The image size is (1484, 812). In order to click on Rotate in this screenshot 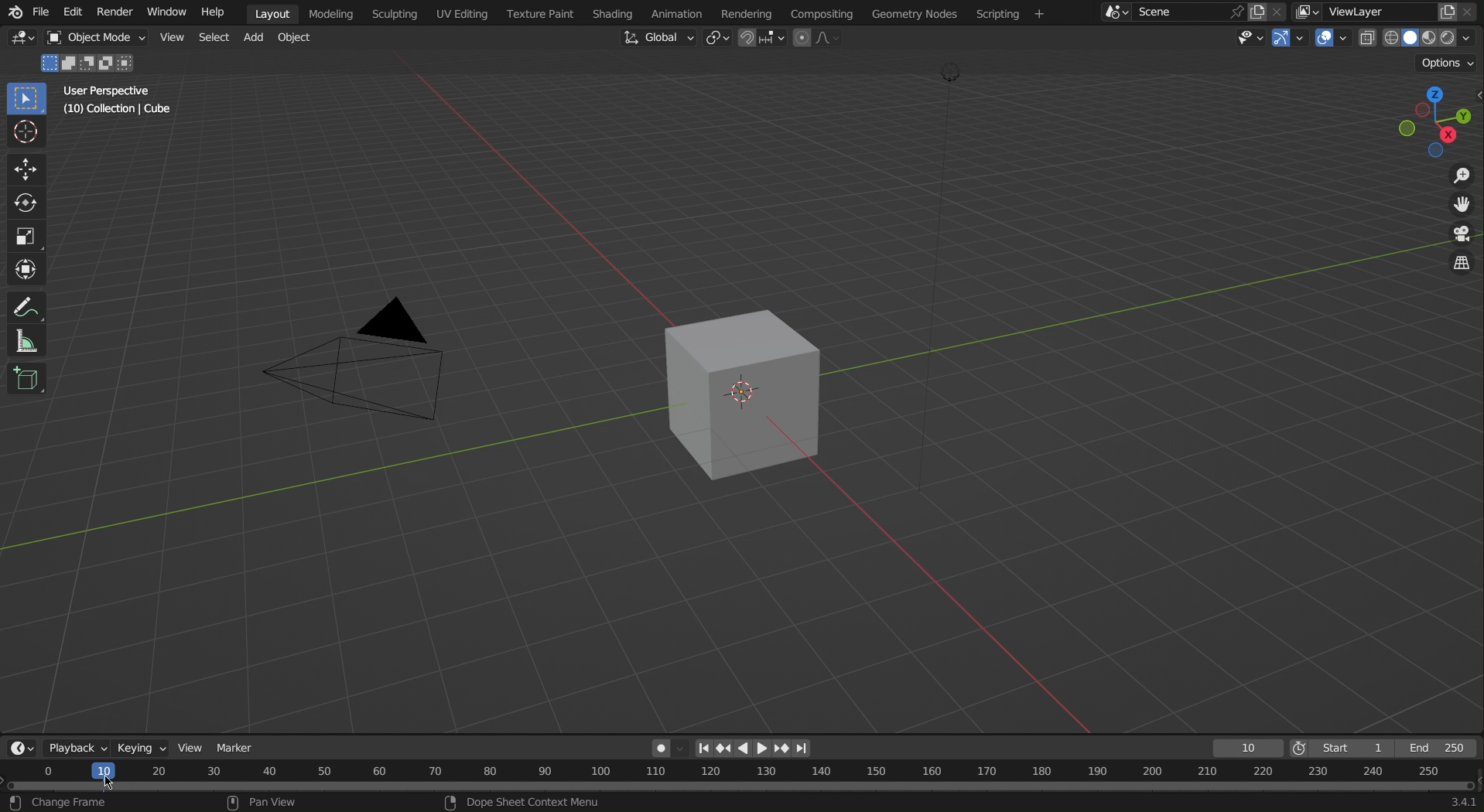, I will do `click(24, 201)`.